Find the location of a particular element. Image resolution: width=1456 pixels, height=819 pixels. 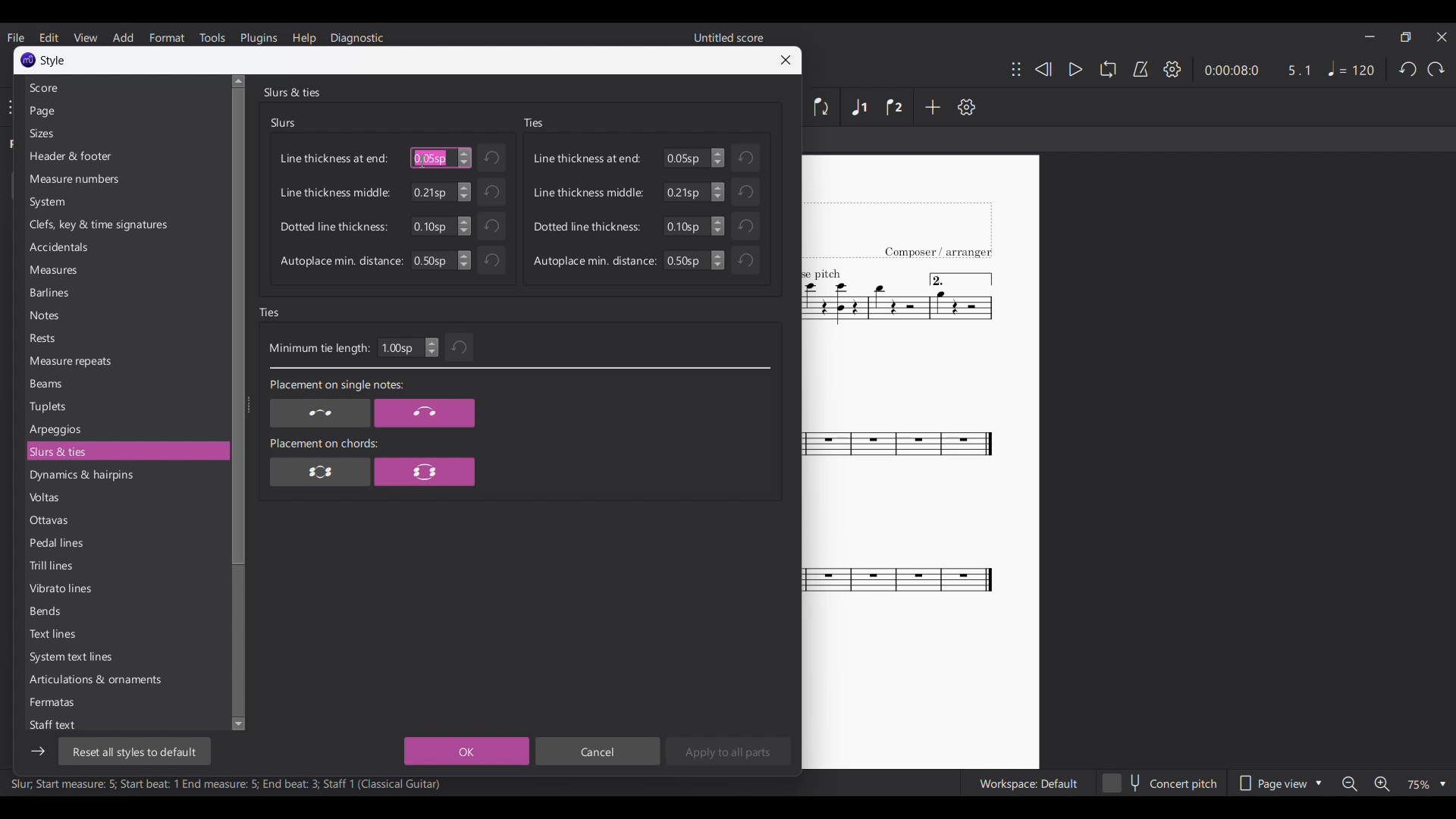

Placement on chord is located at coordinates (324, 443).